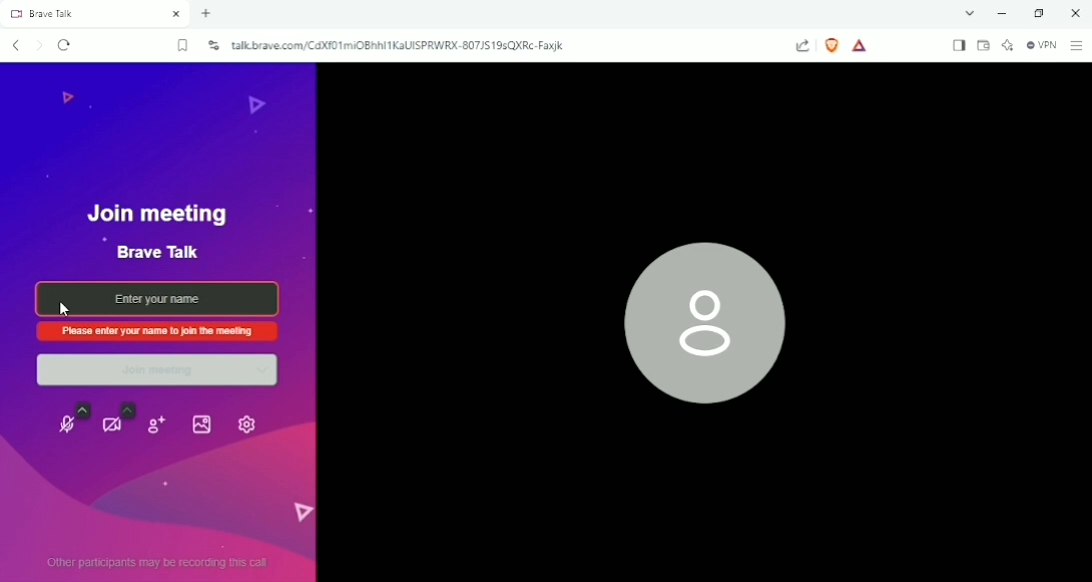 Image resolution: width=1092 pixels, height=582 pixels. I want to click on Close, so click(1076, 12).